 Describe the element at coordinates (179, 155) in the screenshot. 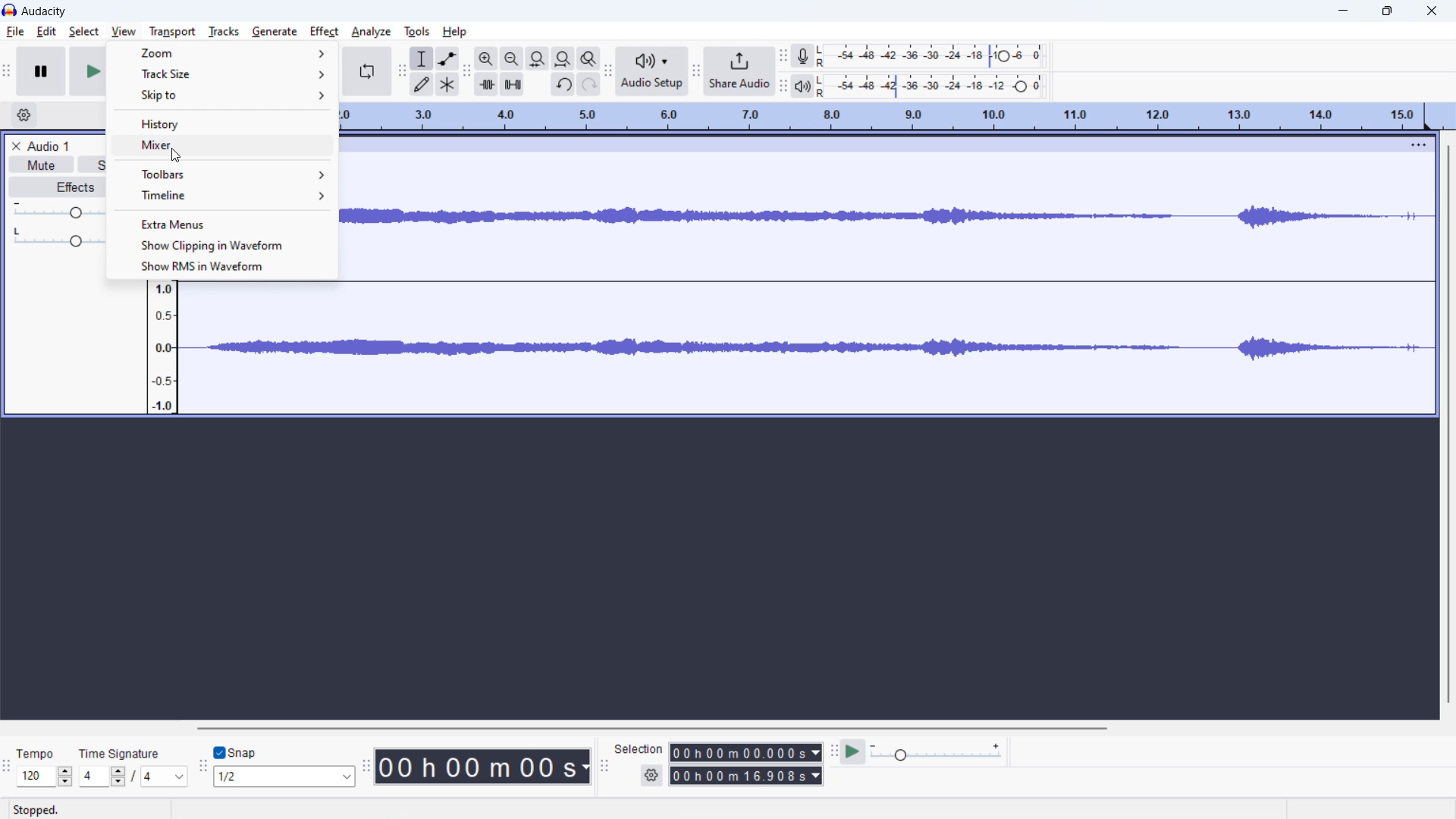

I see `cursor` at that location.